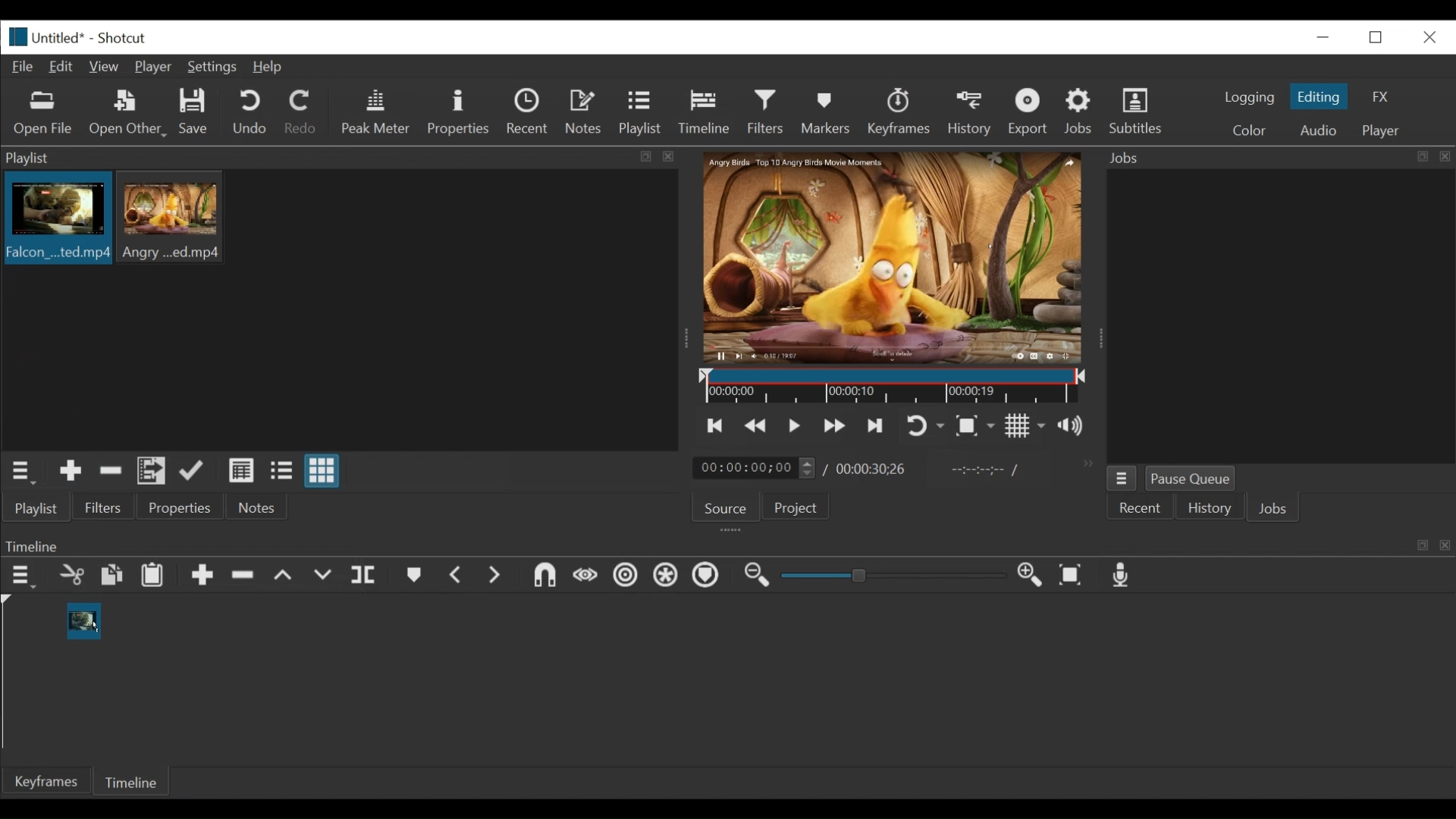 This screenshot has height=819, width=1456. What do you see at coordinates (413, 579) in the screenshot?
I see `markers` at bounding box center [413, 579].